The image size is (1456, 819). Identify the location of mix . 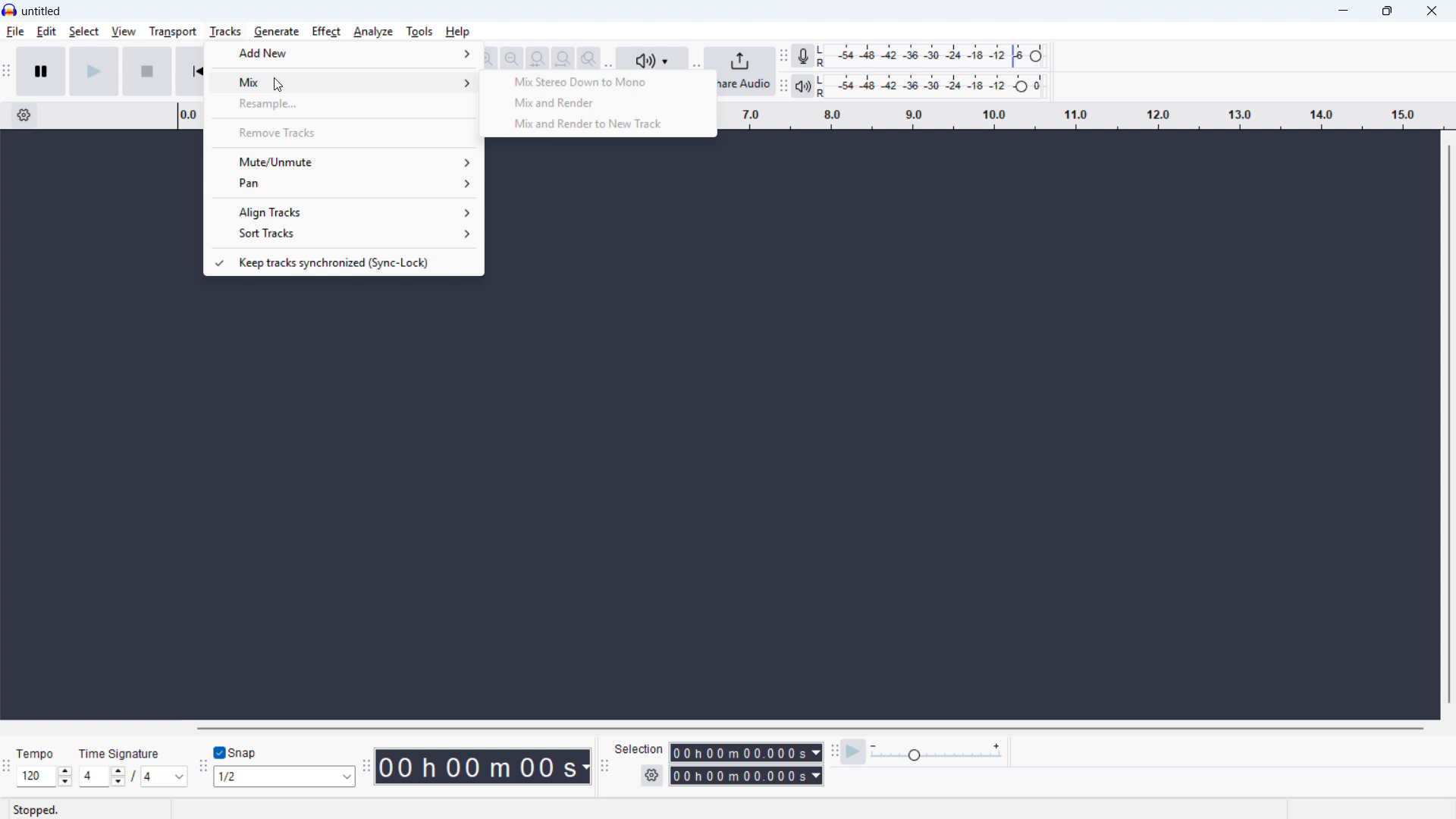
(342, 82).